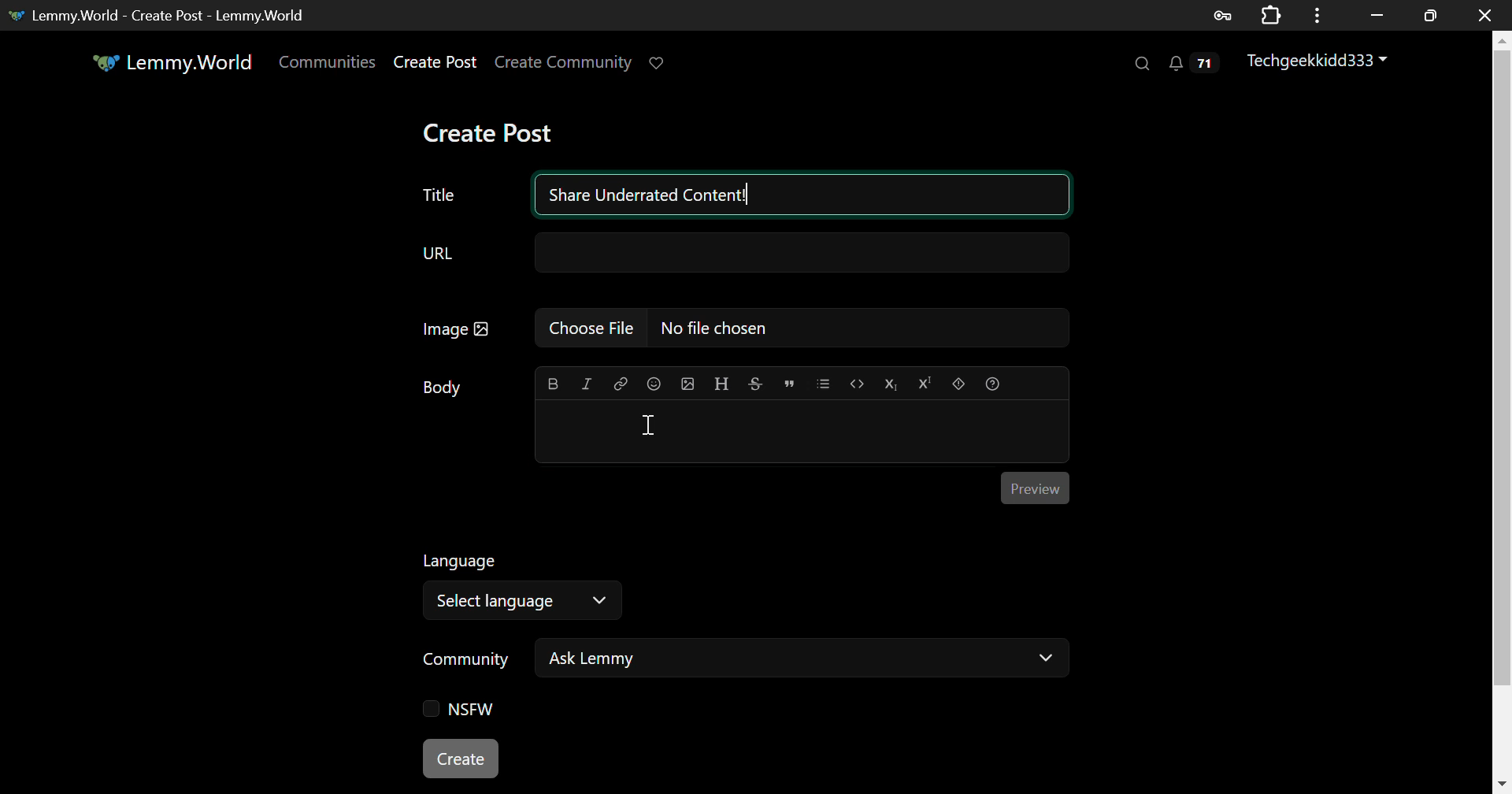 This screenshot has width=1512, height=794. Describe the element at coordinates (722, 384) in the screenshot. I see `Header` at that location.